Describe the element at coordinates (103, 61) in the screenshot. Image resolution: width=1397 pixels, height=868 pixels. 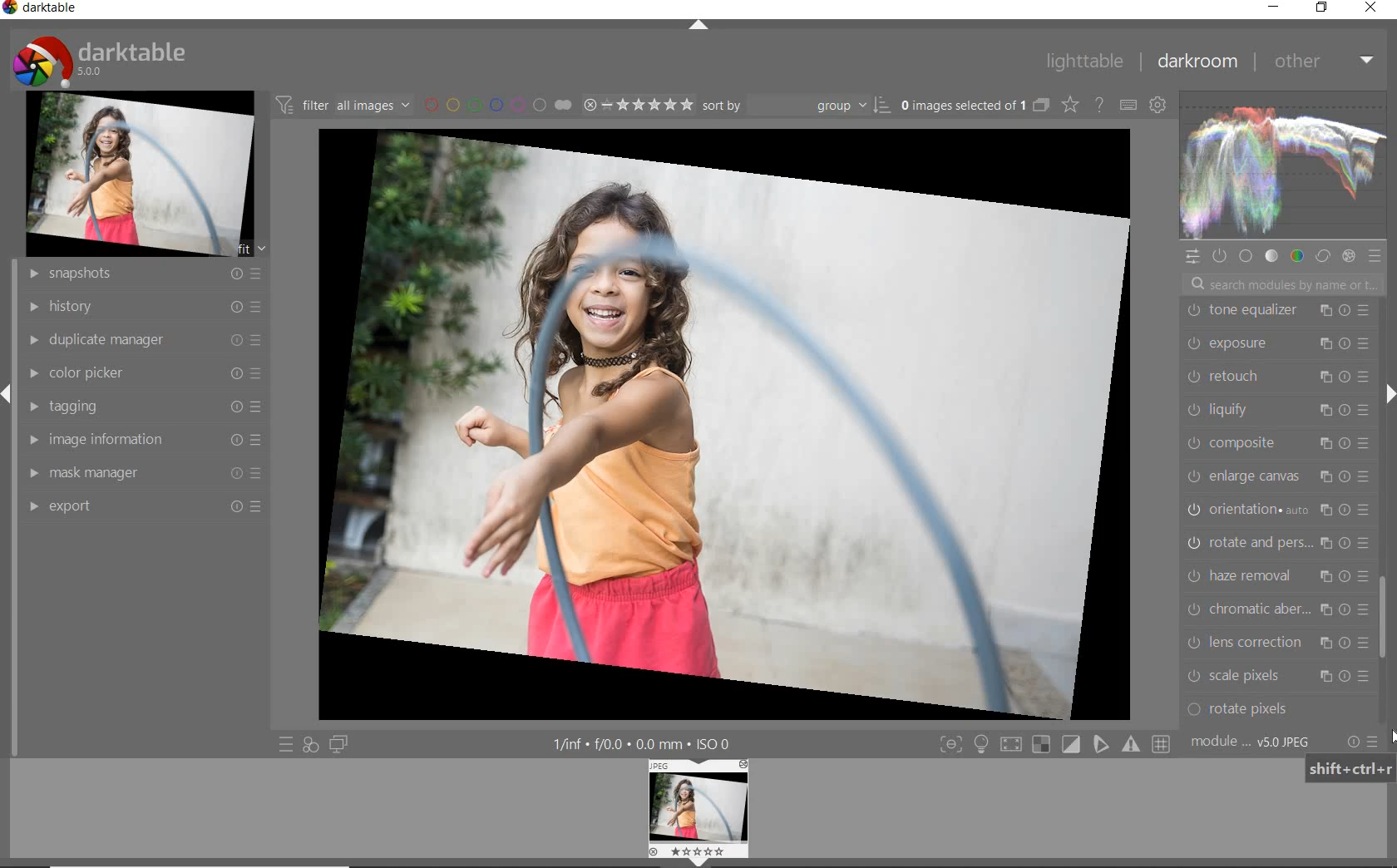
I see `system logo & name` at that location.